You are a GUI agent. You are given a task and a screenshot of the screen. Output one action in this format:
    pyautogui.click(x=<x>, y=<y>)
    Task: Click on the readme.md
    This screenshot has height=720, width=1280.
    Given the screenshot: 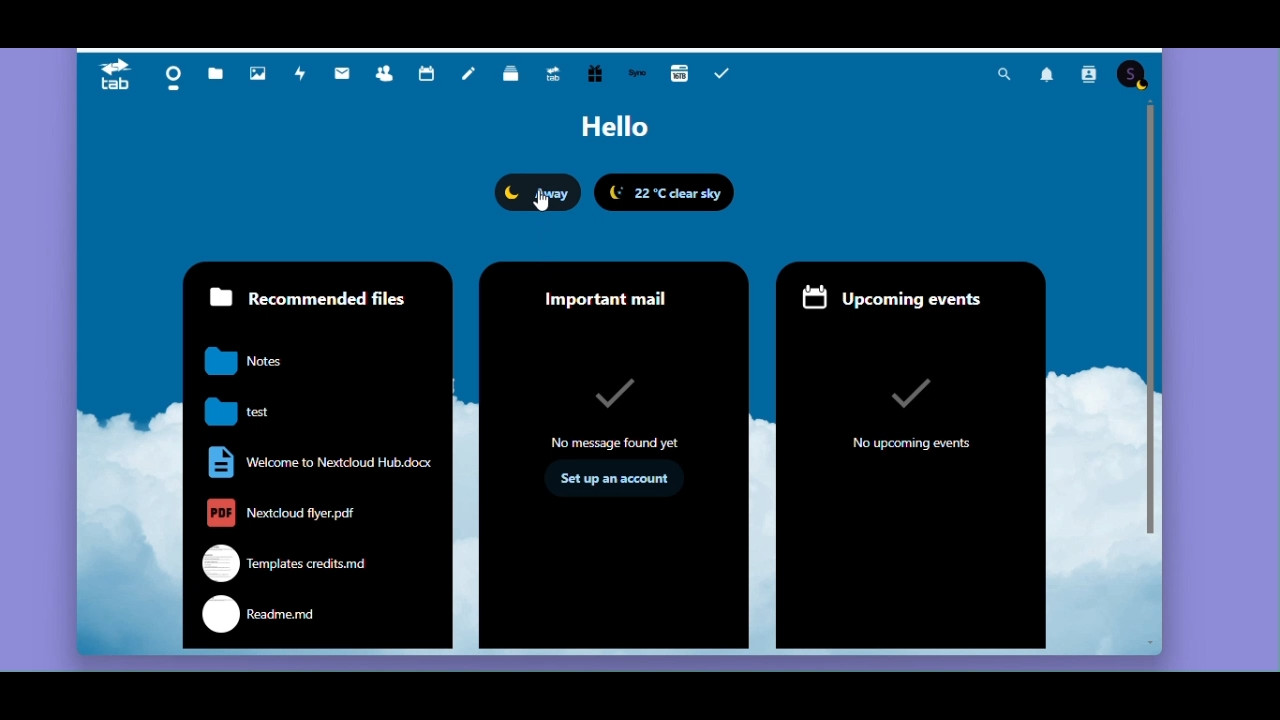 What is the action you would take?
    pyautogui.click(x=313, y=620)
    